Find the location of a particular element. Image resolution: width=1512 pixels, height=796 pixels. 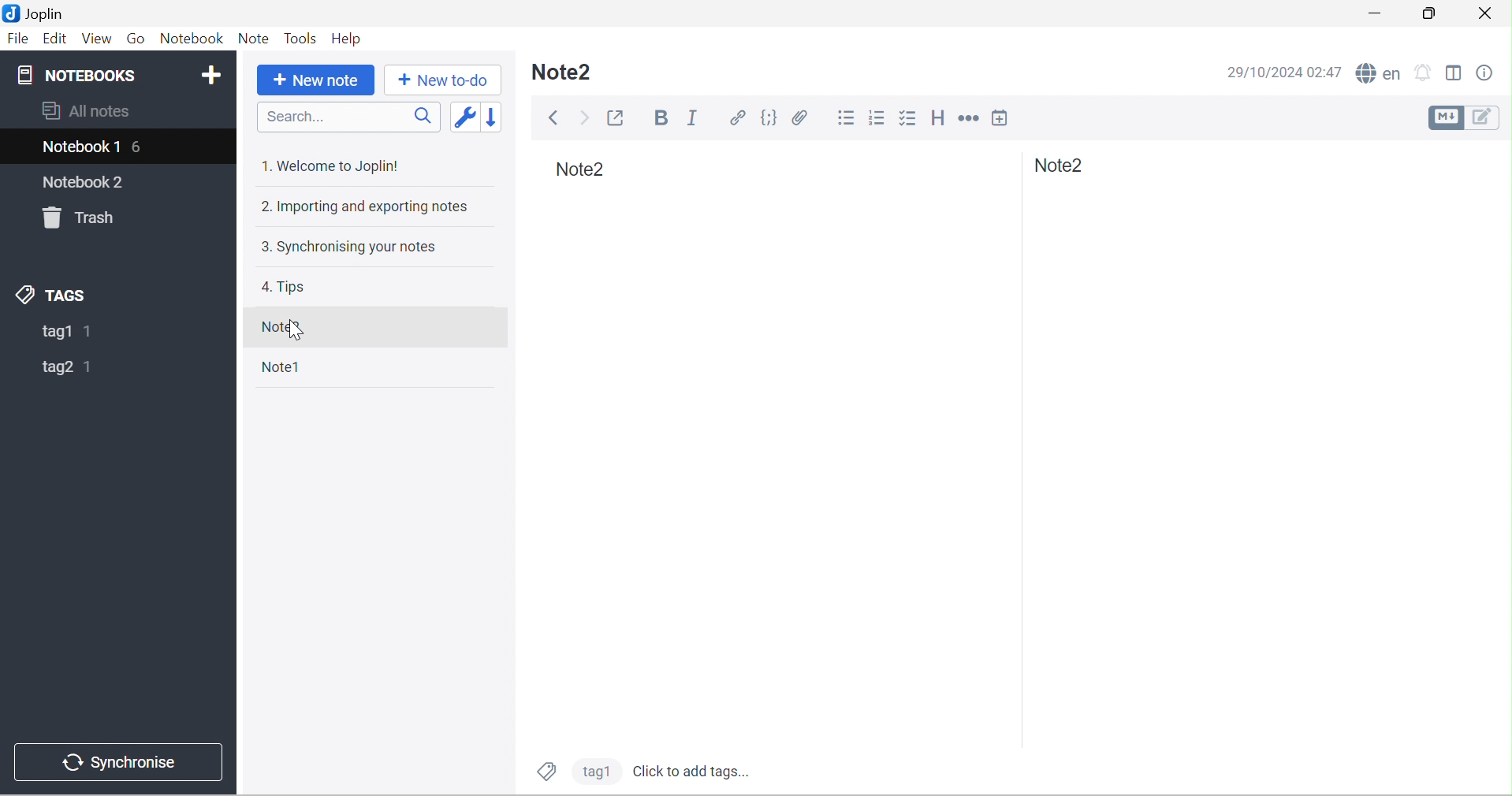

Numbered list is located at coordinates (879, 120).